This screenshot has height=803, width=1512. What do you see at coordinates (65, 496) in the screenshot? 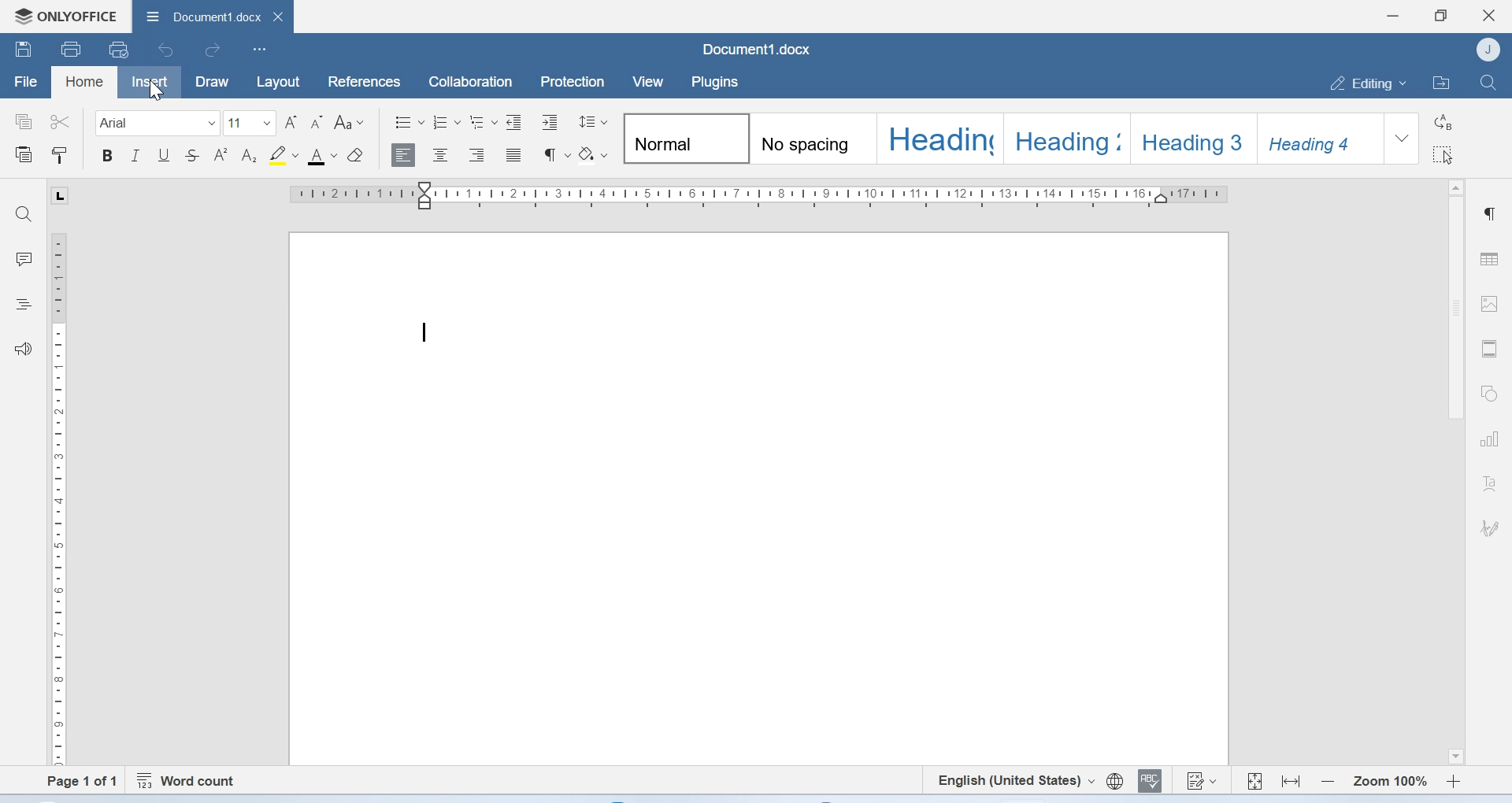
I see `Scale` at bounding box center [65, 496].